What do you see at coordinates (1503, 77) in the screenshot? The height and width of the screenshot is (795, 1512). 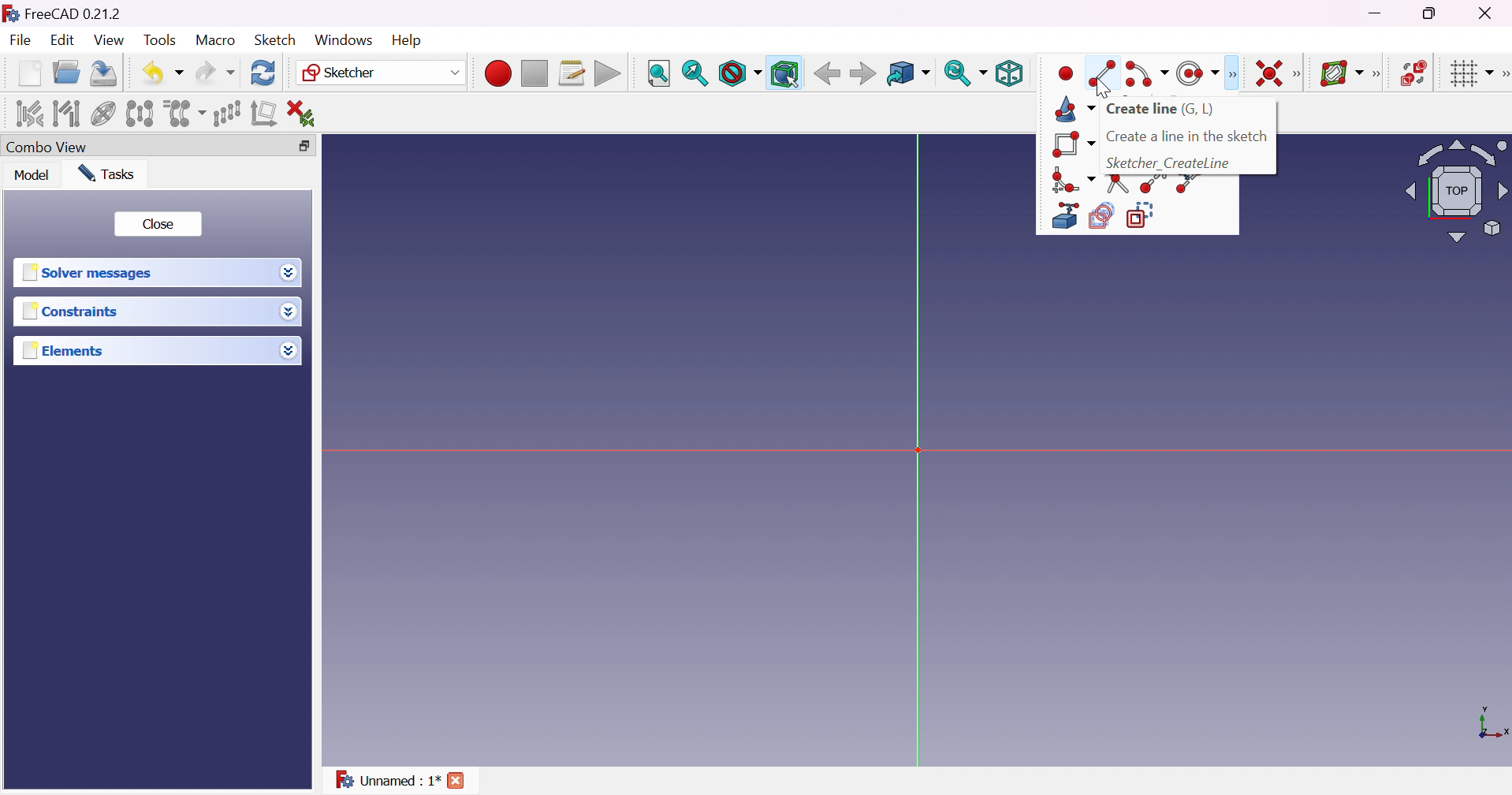 I see `[Sketcher edit tools]` at bounding box center [1503, 77].